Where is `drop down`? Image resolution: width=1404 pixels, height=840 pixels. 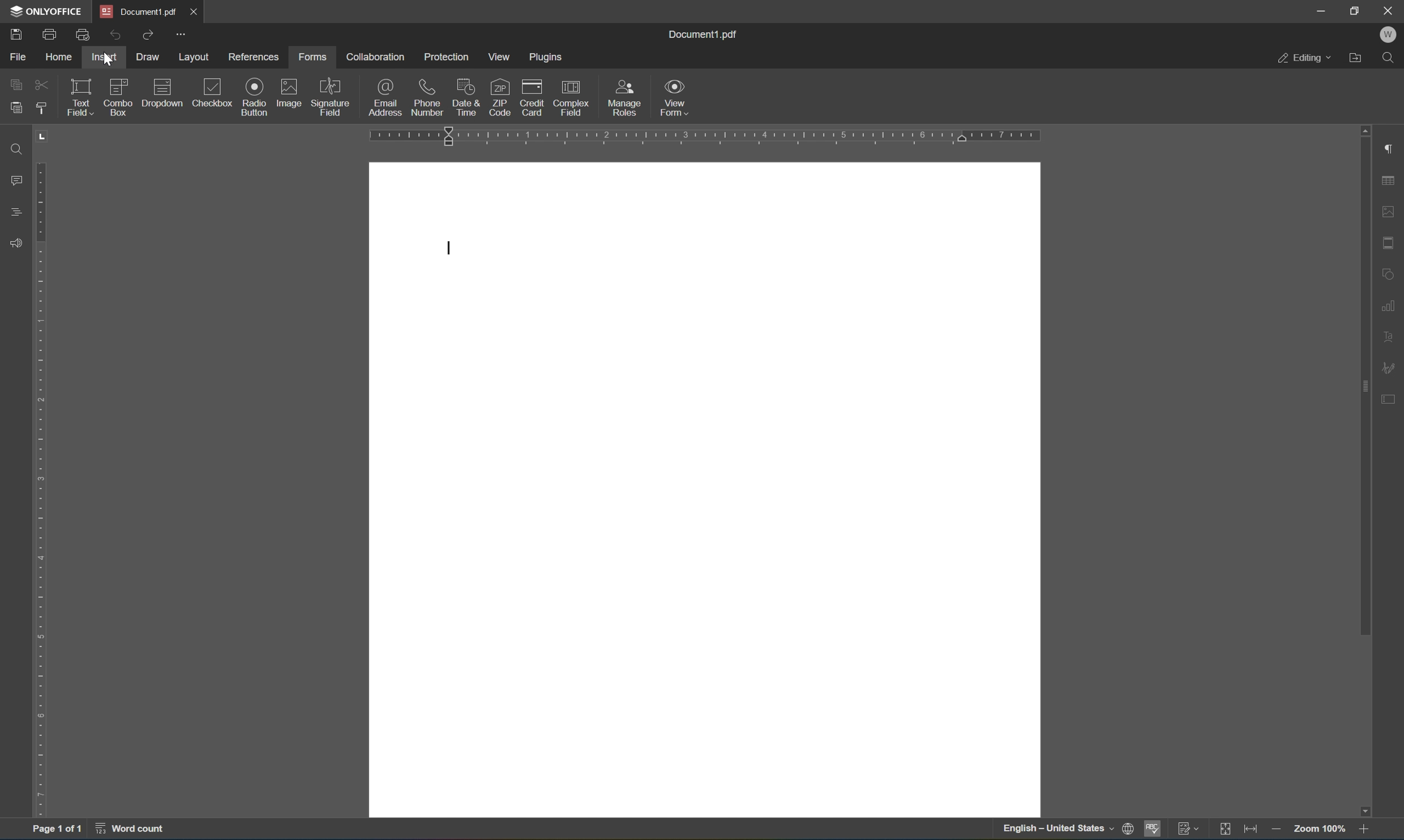 drop down is located at coordinates (164, 93).